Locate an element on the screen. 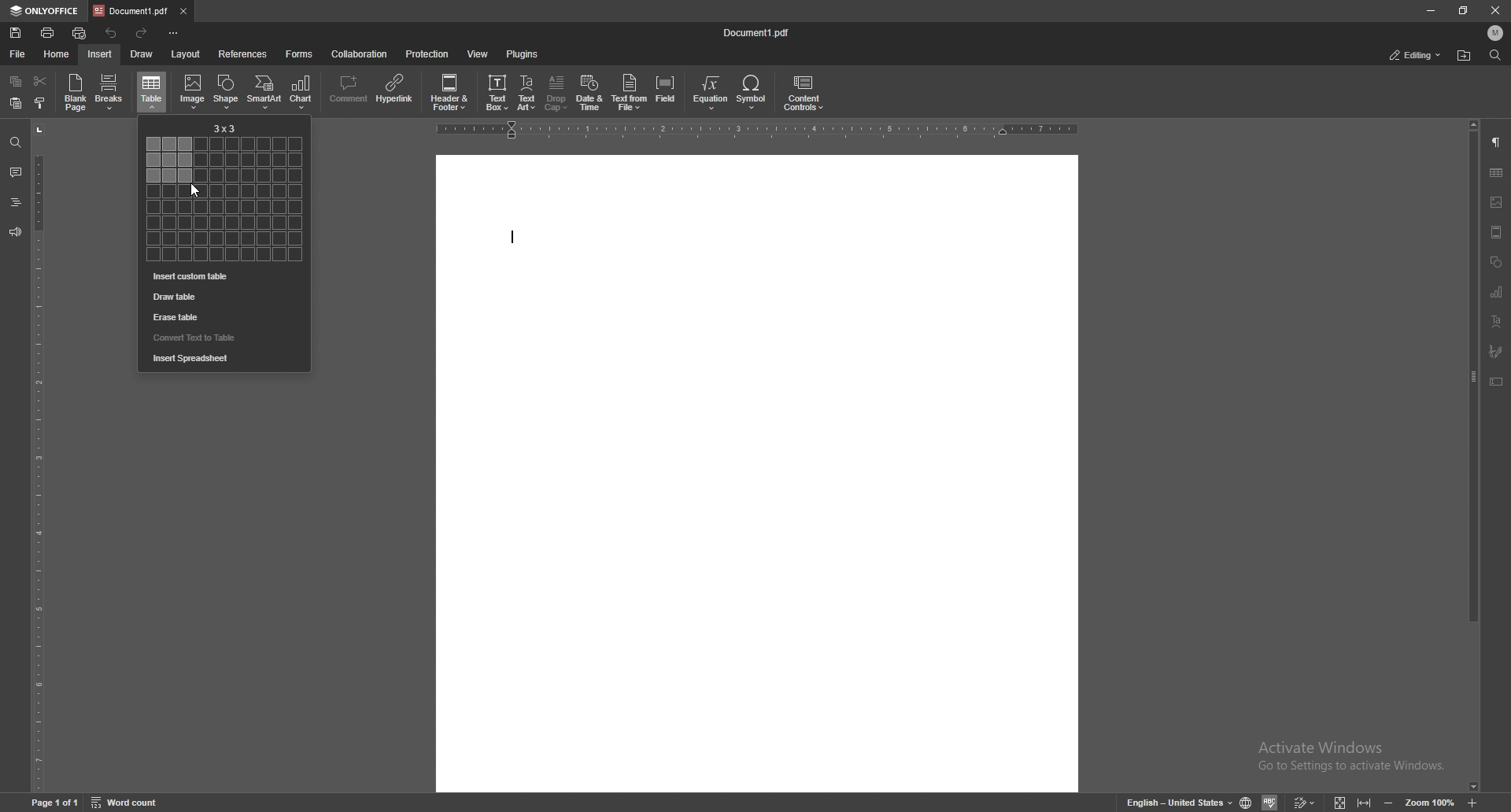  insert is located at coordinates (100, 54).